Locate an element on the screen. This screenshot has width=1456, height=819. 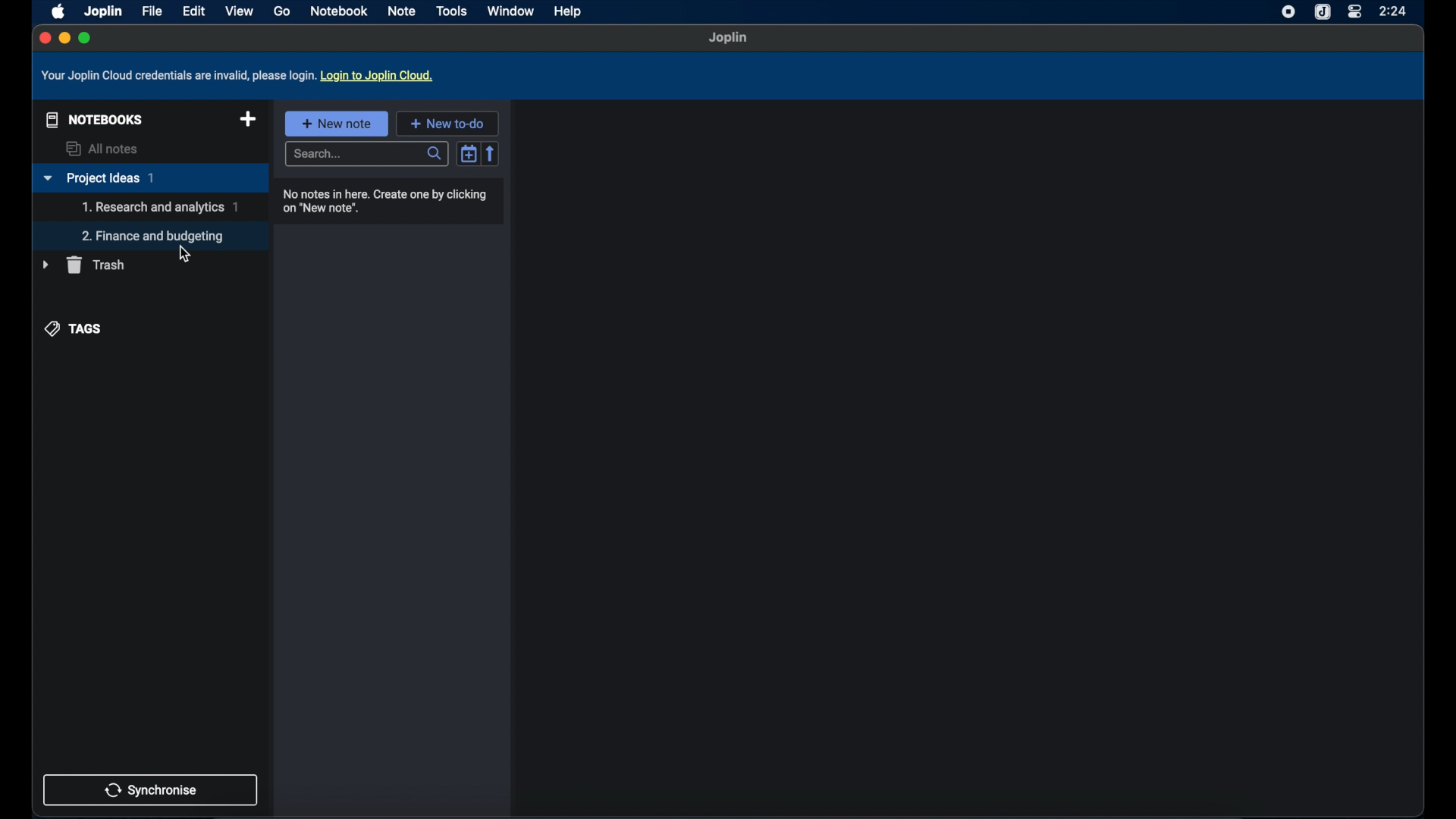
search bar is located at coordinates (369, 155).